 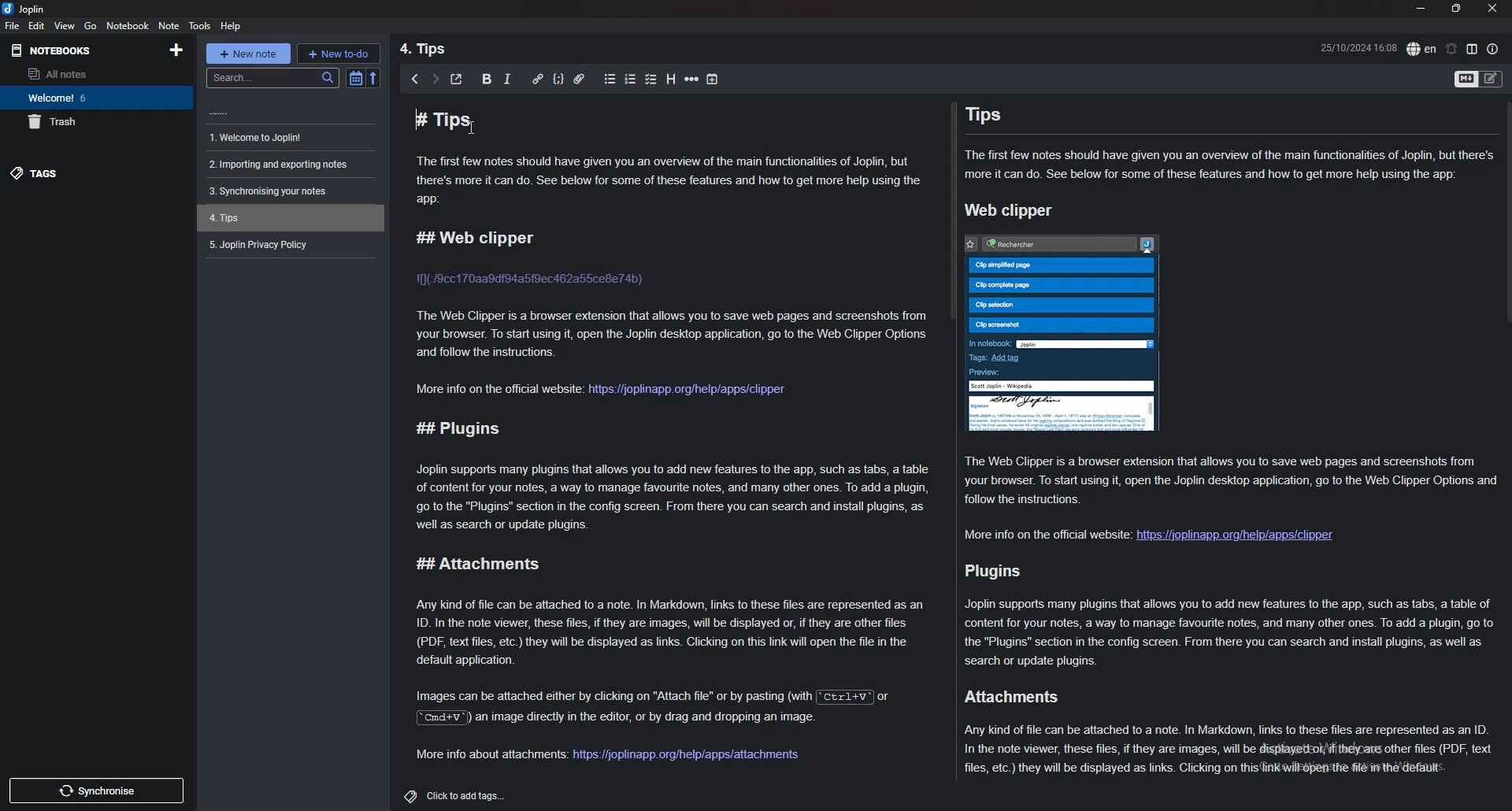 I want to click on The first few notes should have given you an overview of the main functionalities of Joplin, but there's
more it can do. See below for some of these features and how to get more help using the app:, so click(x=1230, y=165).